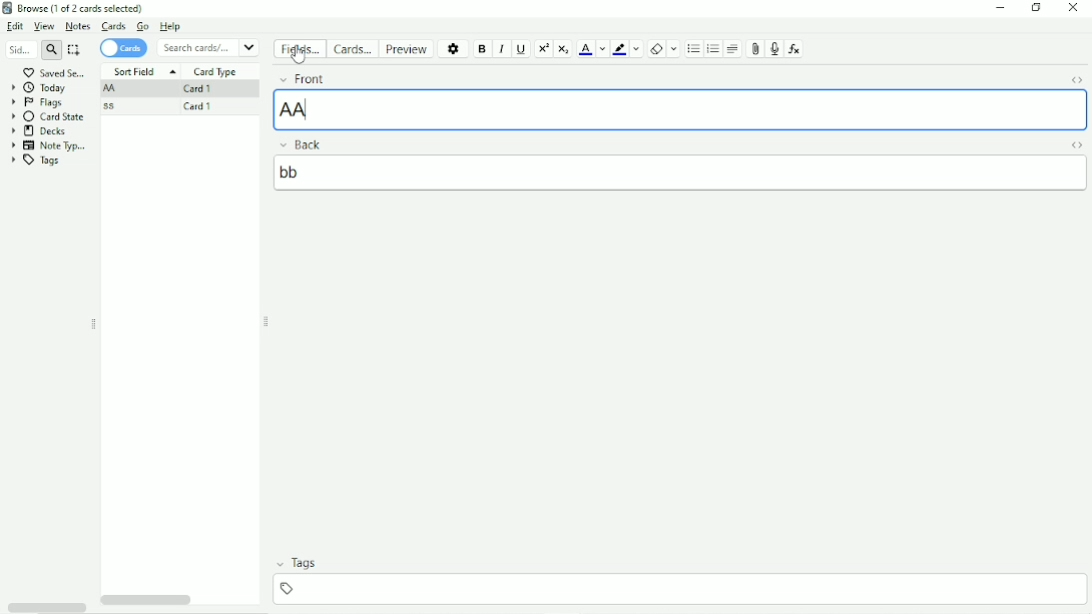 The height and width of the screenshot is (614, 1092). What do you see at coordinates (682, 173) in the screenshot?
I see `bb` at bounding box center [682, 173].